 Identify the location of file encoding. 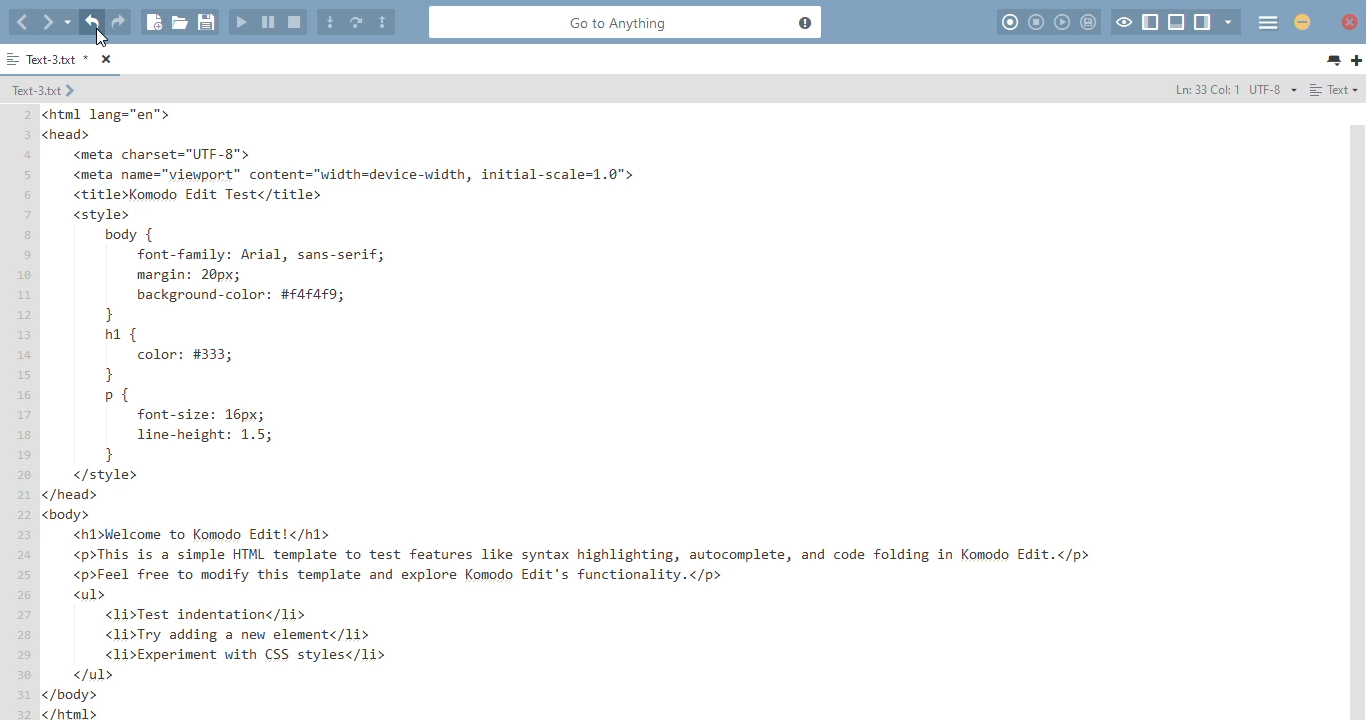
(1273, 88).